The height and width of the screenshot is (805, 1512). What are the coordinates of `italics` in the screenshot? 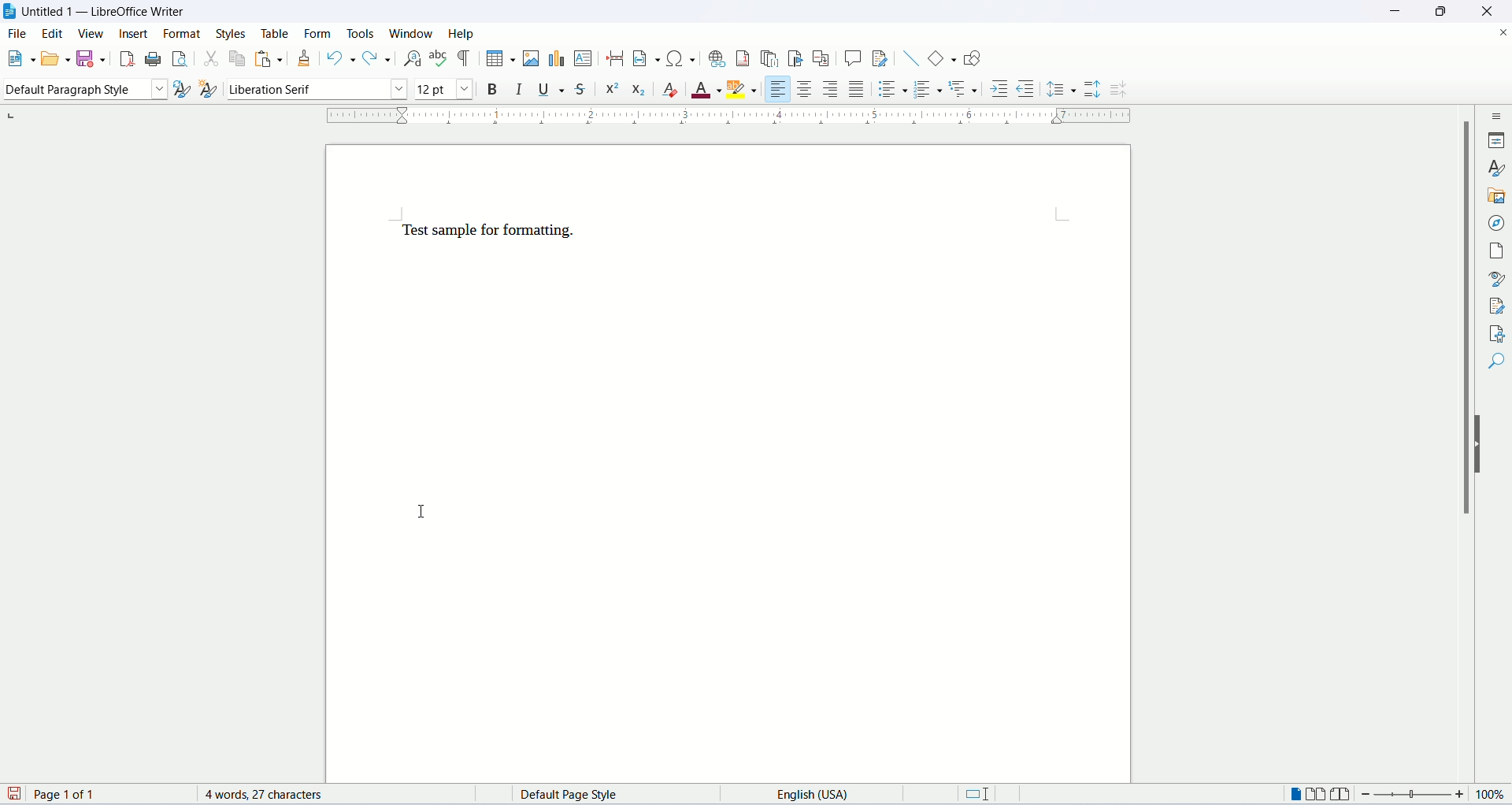 It's located at (518, 91).